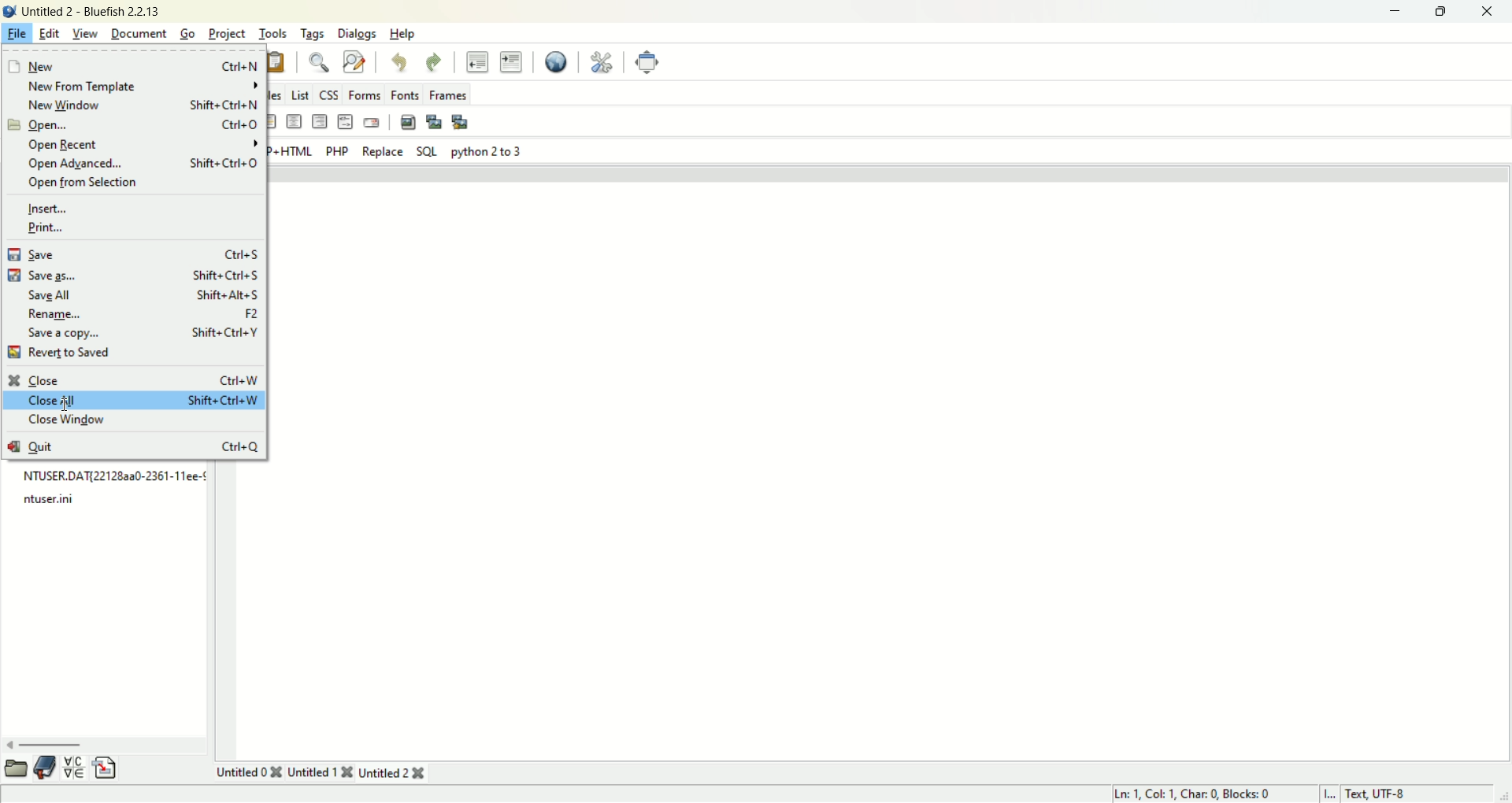  Describe the element at coordinates (9, 9) in the screenshot. I see `logo` at that location.